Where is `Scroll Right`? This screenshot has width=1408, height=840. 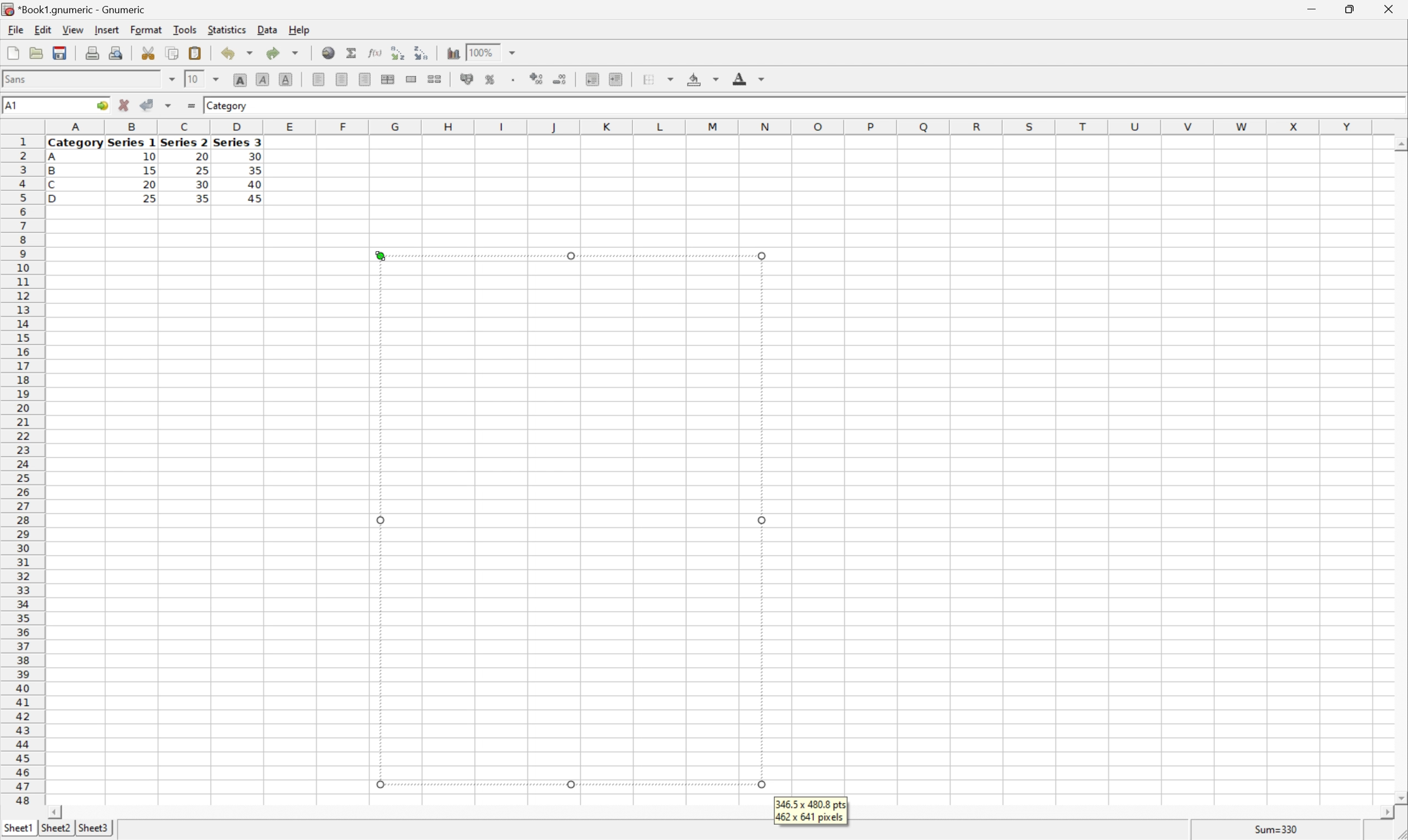
Scroll Right is located at coordinates (1383, 813).